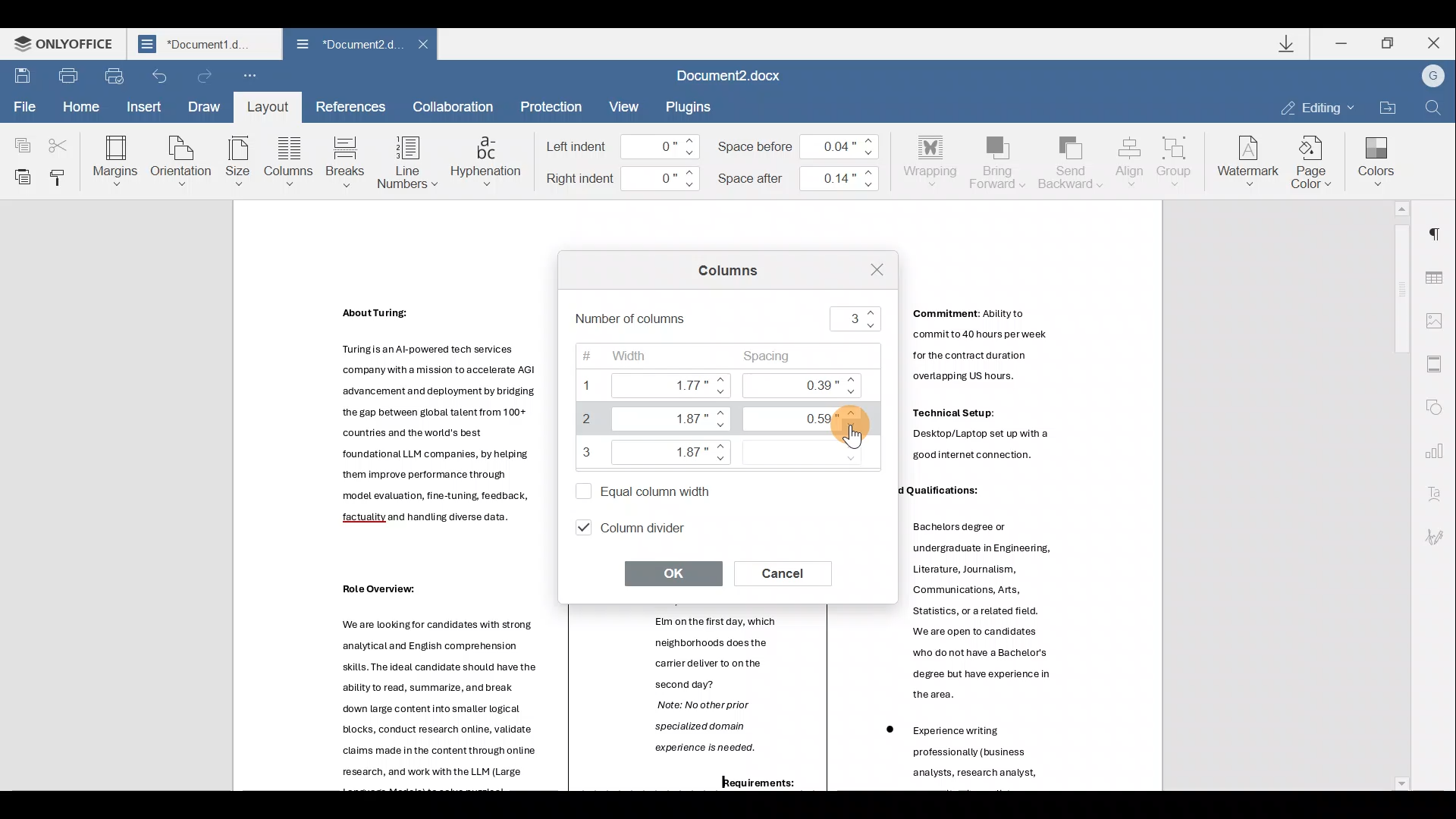 The image size is (1456, 819). Describe the element at coordinates (998, 160) in the screenshot. I see `Bring forward` at that location.